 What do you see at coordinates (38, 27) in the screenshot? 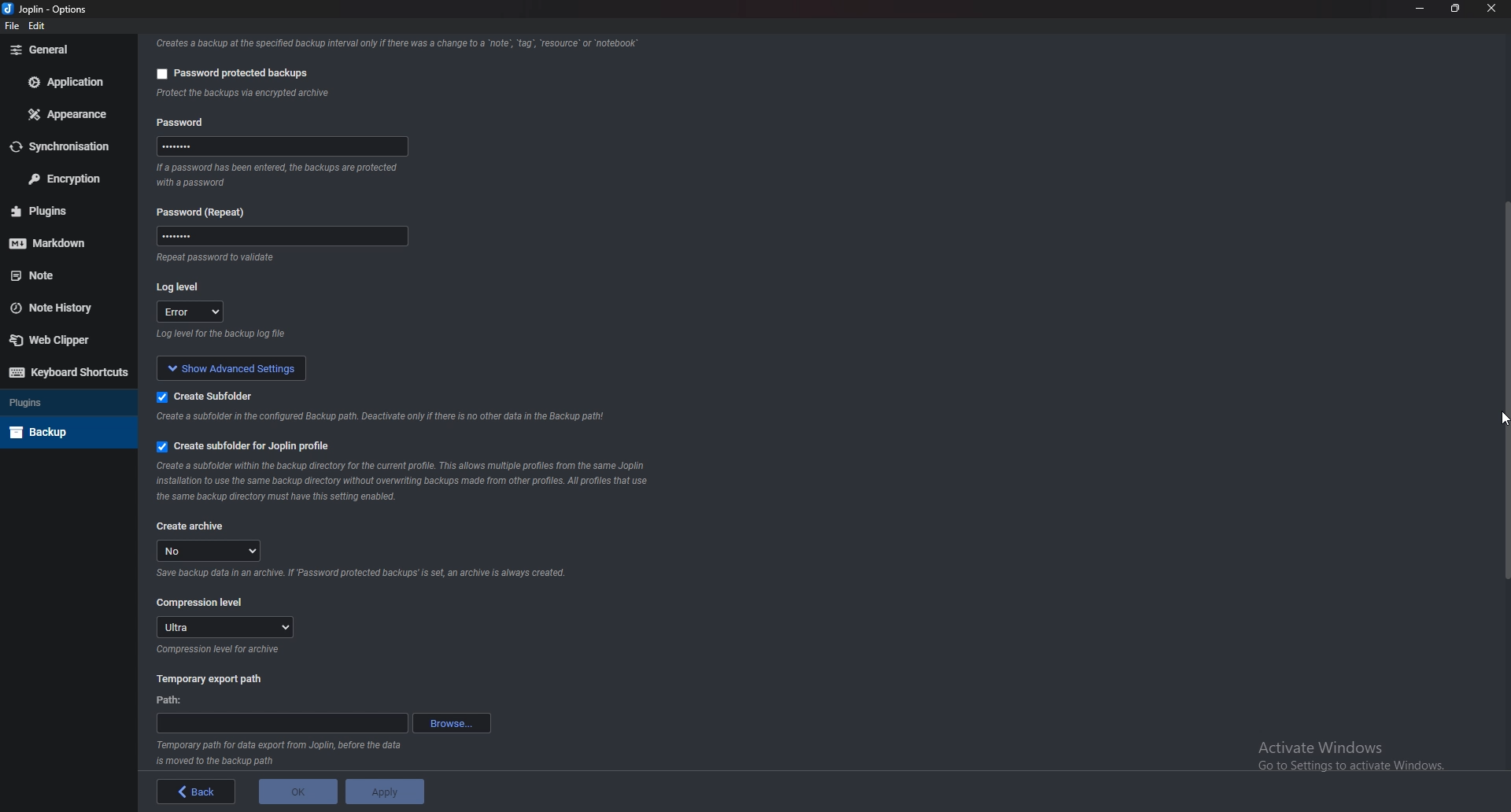
I see `edit` at bounding box center [38, 27].